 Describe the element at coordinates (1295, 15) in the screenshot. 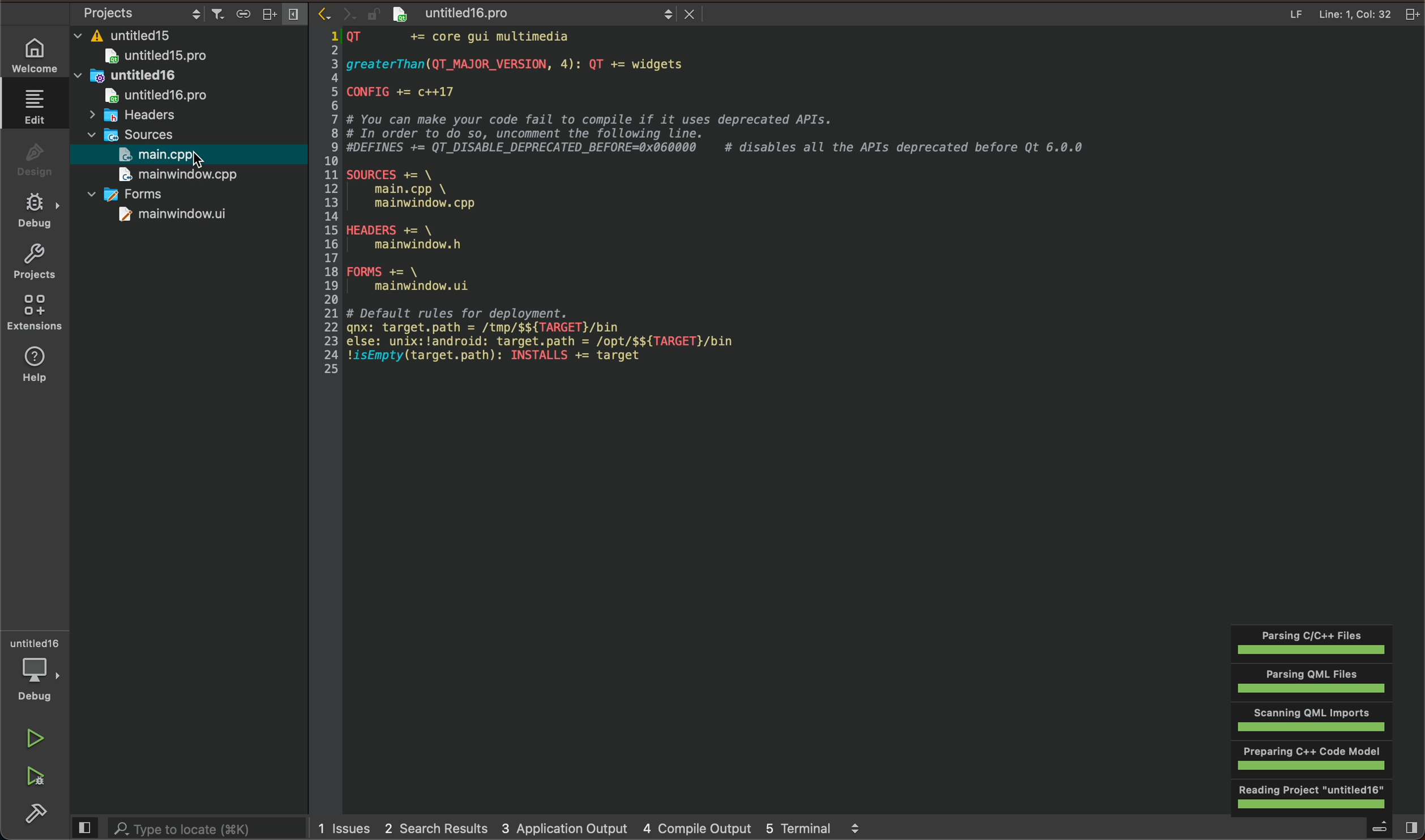

I see `file info` at that location.